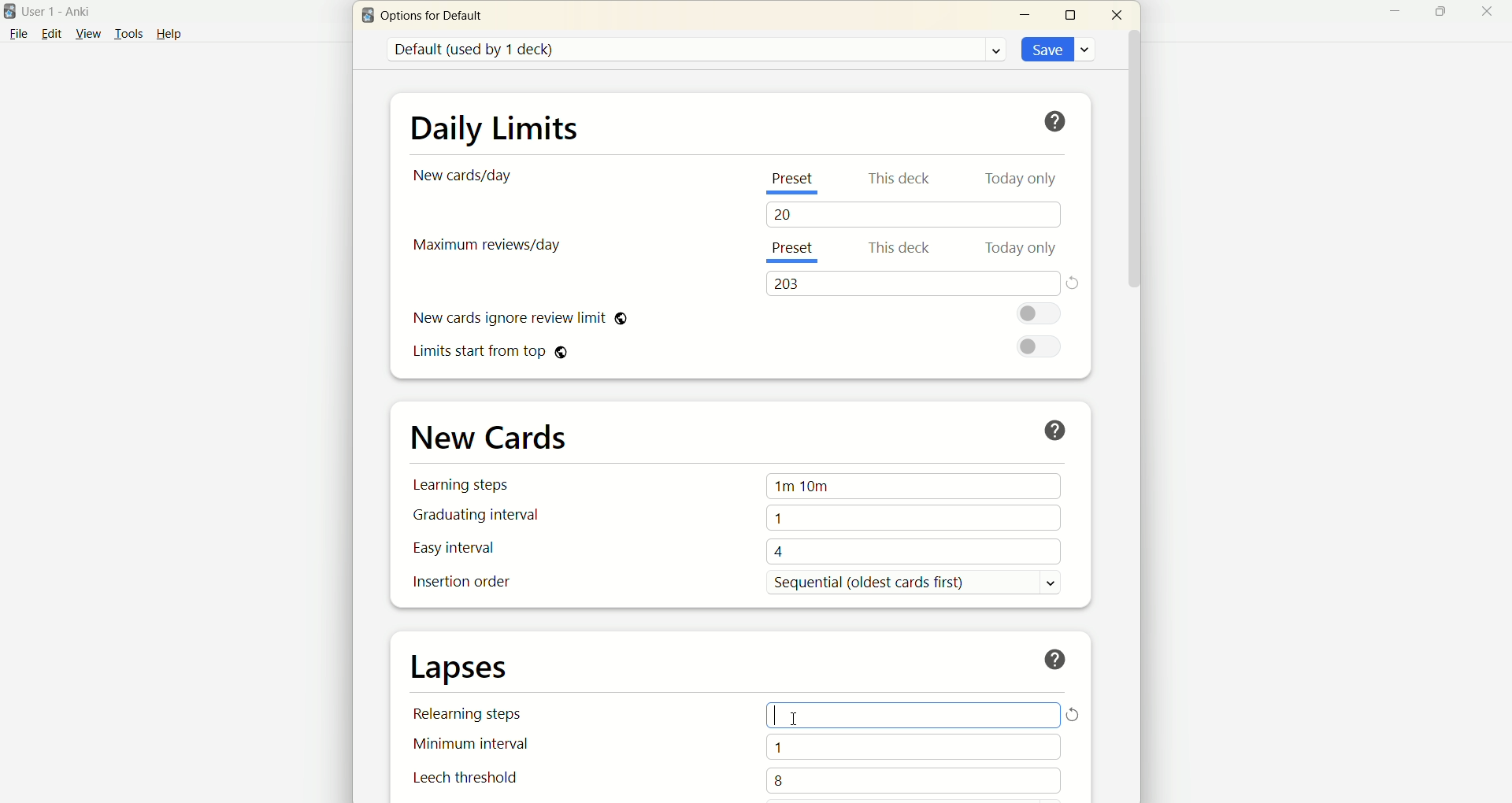 The width and height of the screenshot is (1512, 803). I want to click on 20, so click(917, 215).